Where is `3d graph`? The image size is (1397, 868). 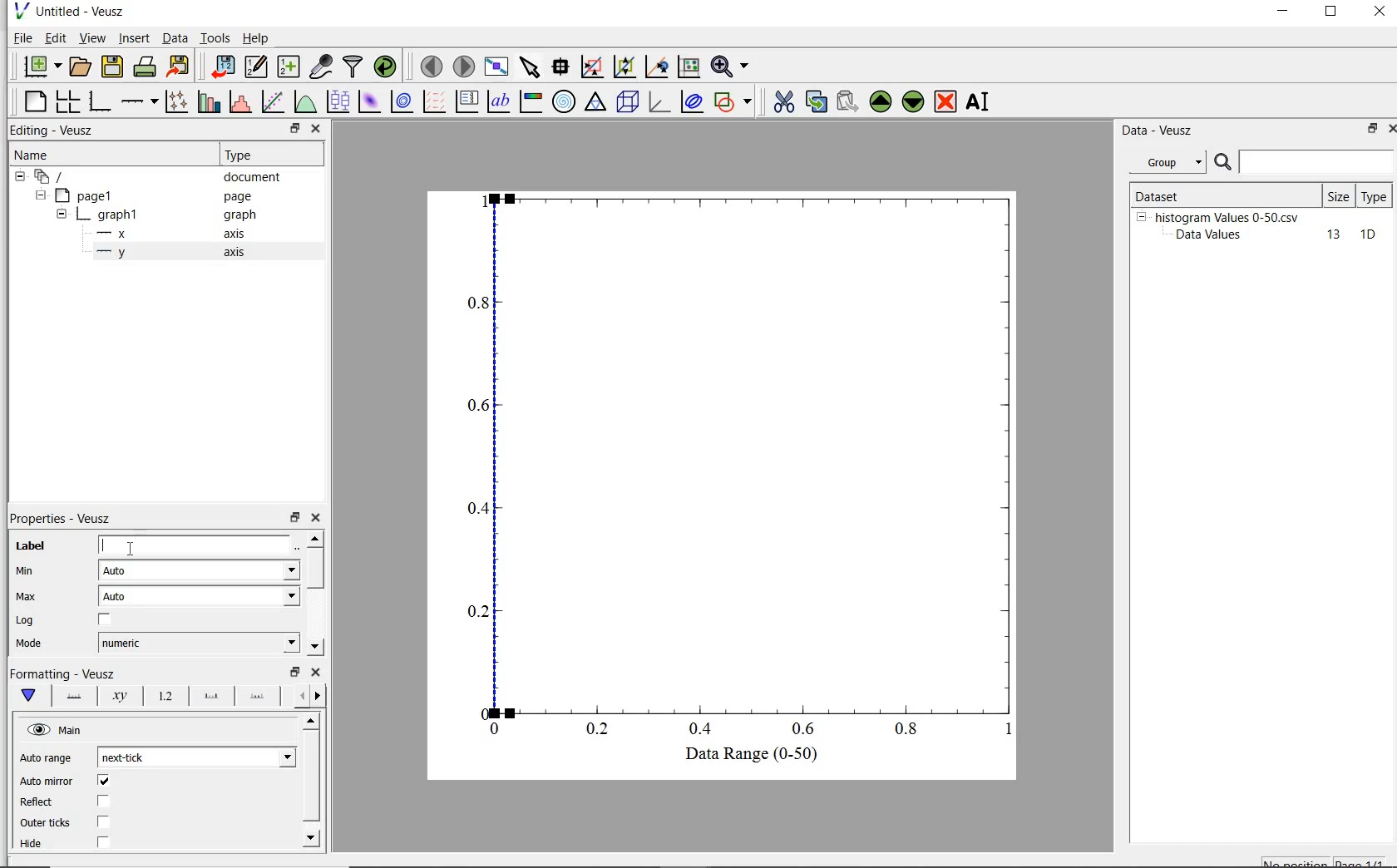
3d graph is located at coordinates (659, 102).